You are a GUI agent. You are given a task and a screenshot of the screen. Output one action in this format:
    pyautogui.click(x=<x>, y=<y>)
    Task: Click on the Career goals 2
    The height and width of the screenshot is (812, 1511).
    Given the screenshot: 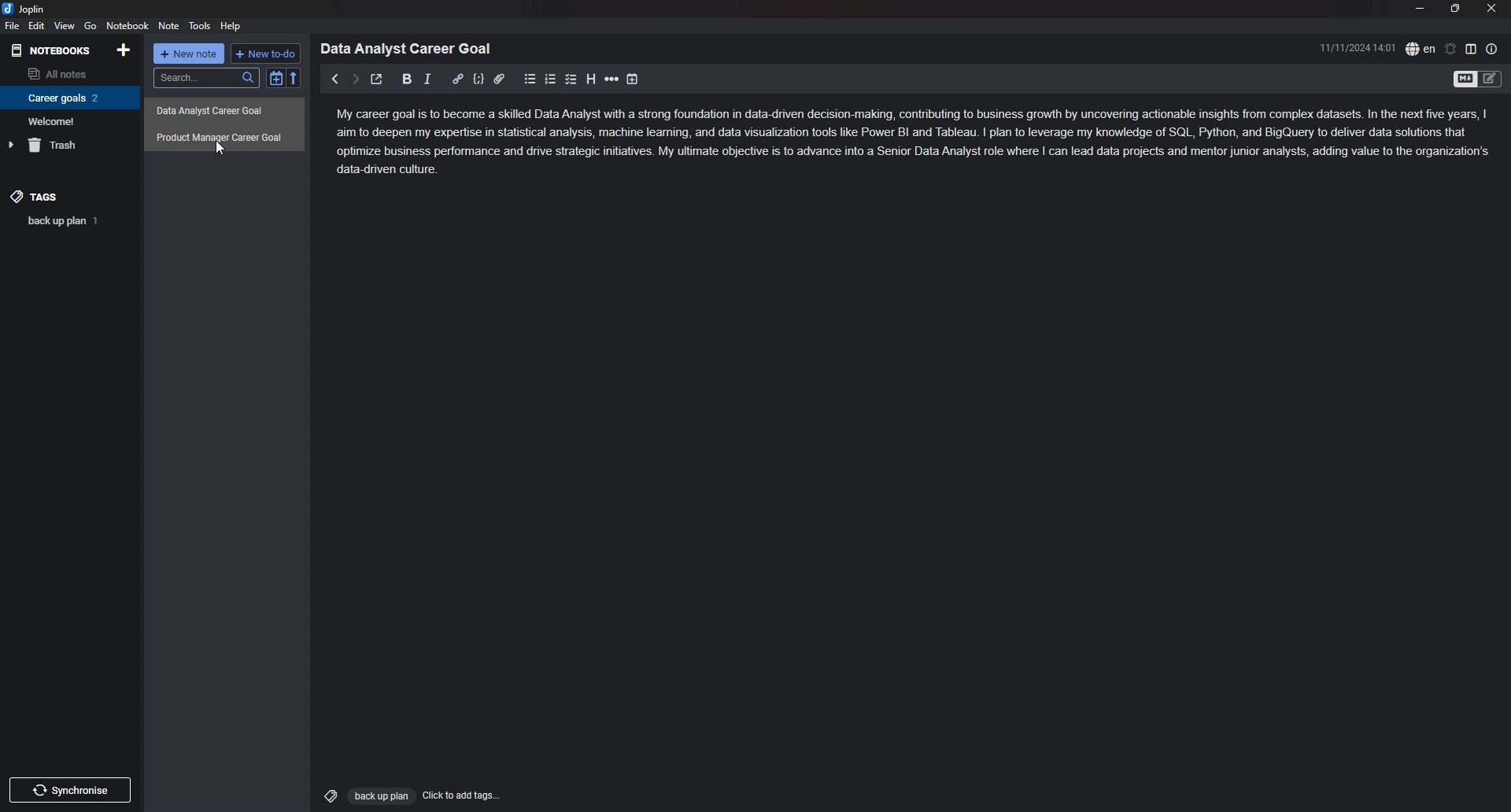 What is the action you would take?
    pyautogui.click(x=67, y=98)
    